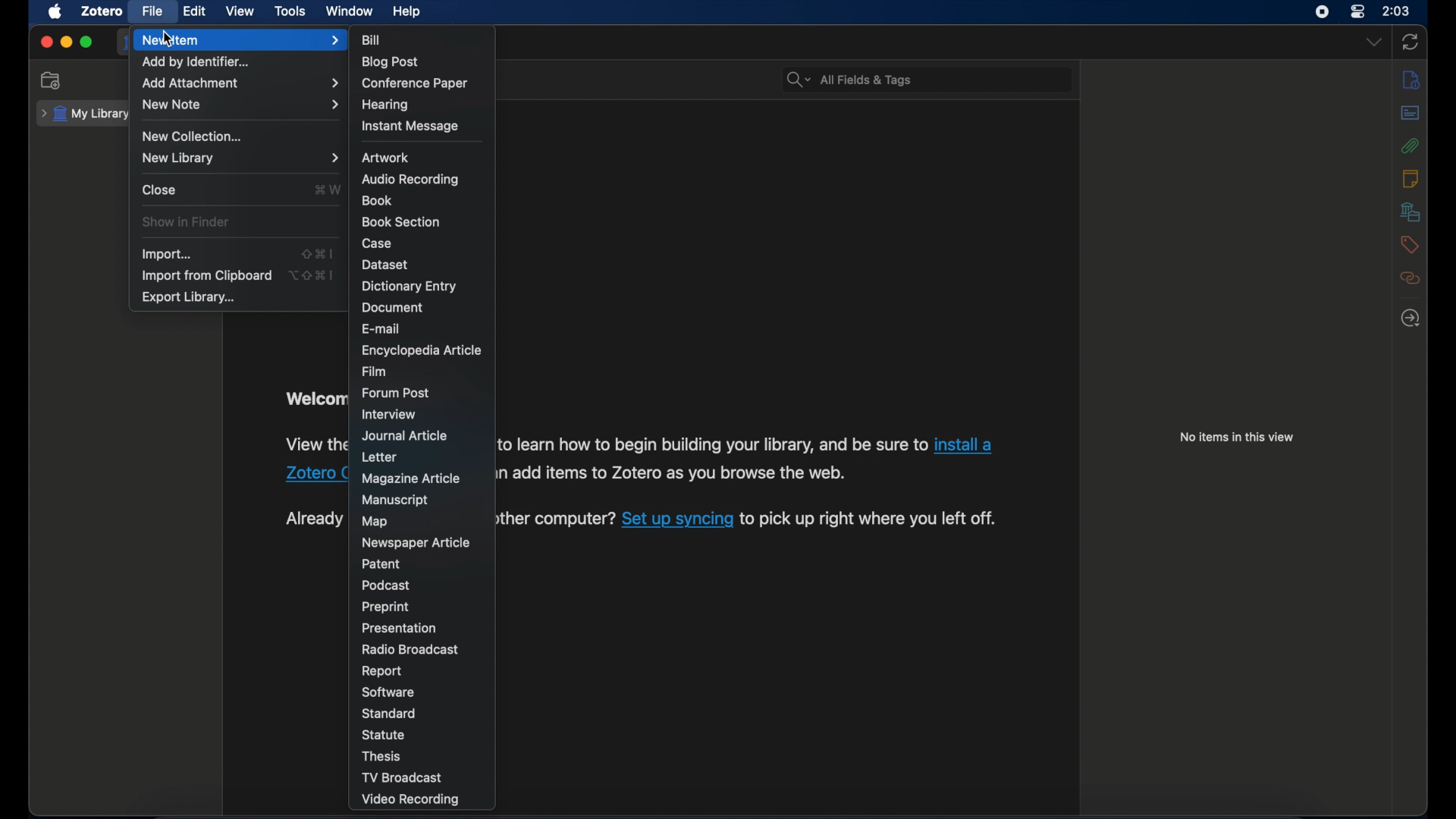 This screenshot has width=1456, height=819. I want to click on apple, so click(55, 12).